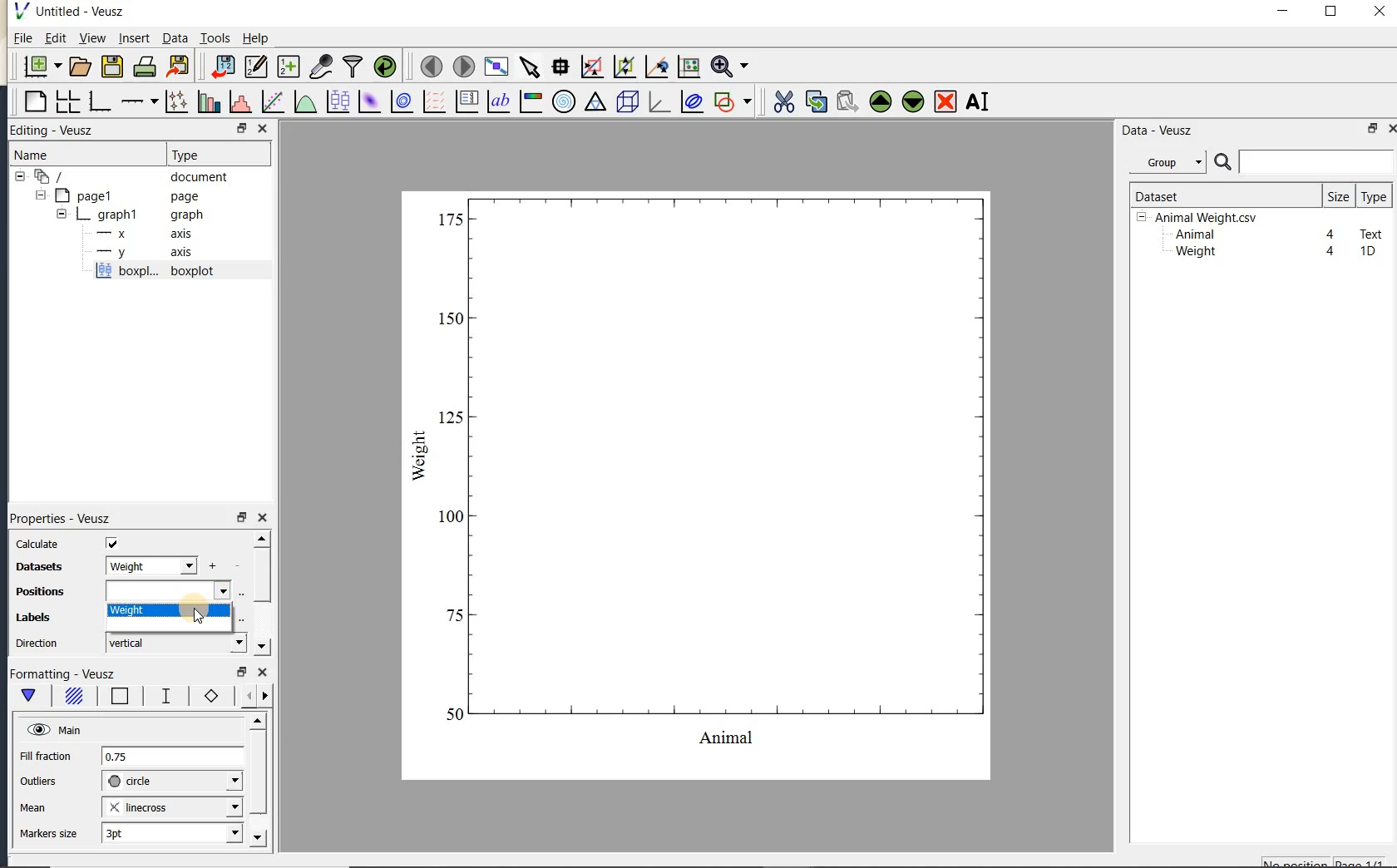  Describe the element at coordinates (67, 101) in the screenshot. I see `arrange graphs in a grid` at that location.